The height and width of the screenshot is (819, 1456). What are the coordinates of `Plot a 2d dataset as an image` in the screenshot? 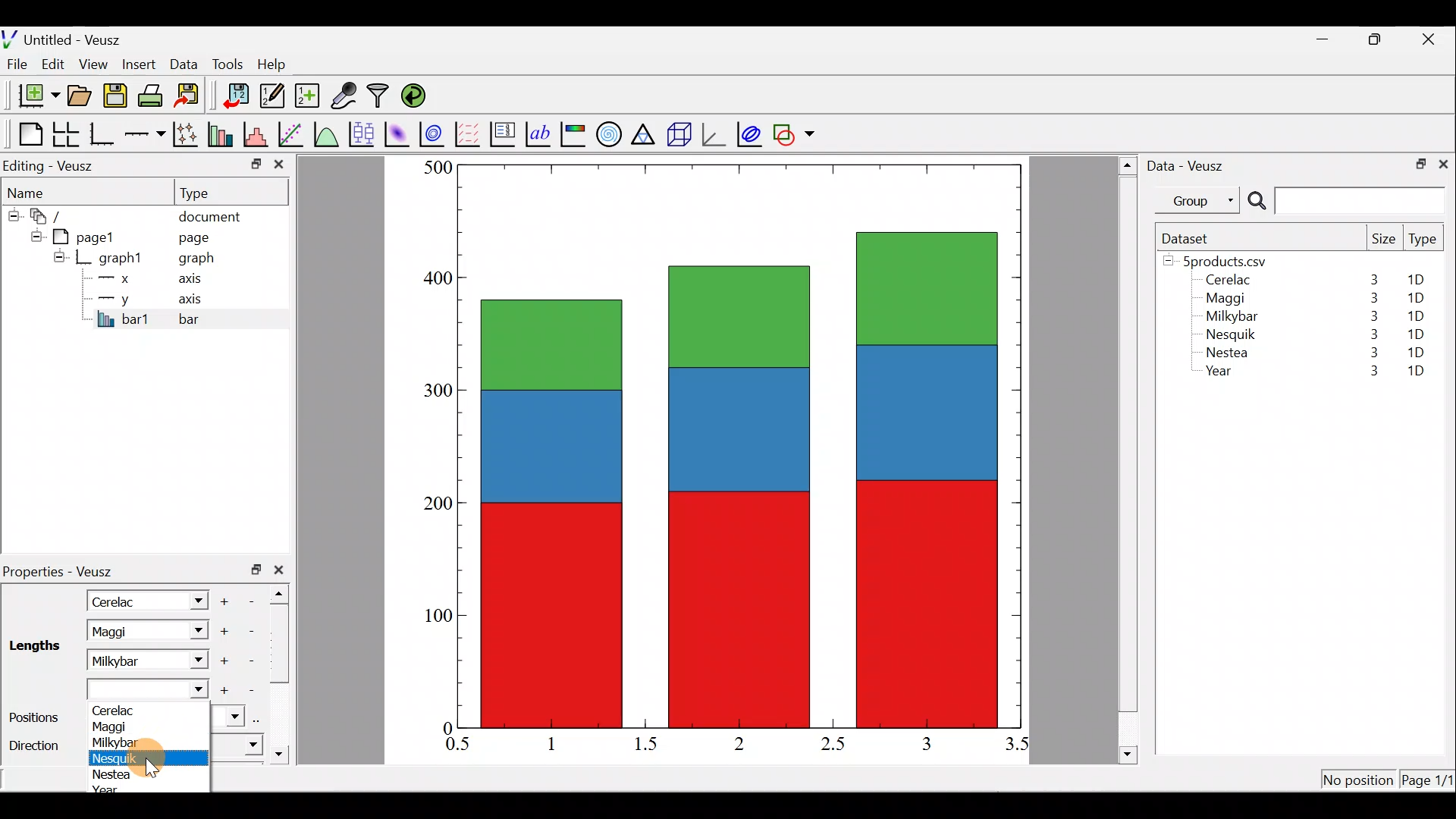 It's located at (399, 132).